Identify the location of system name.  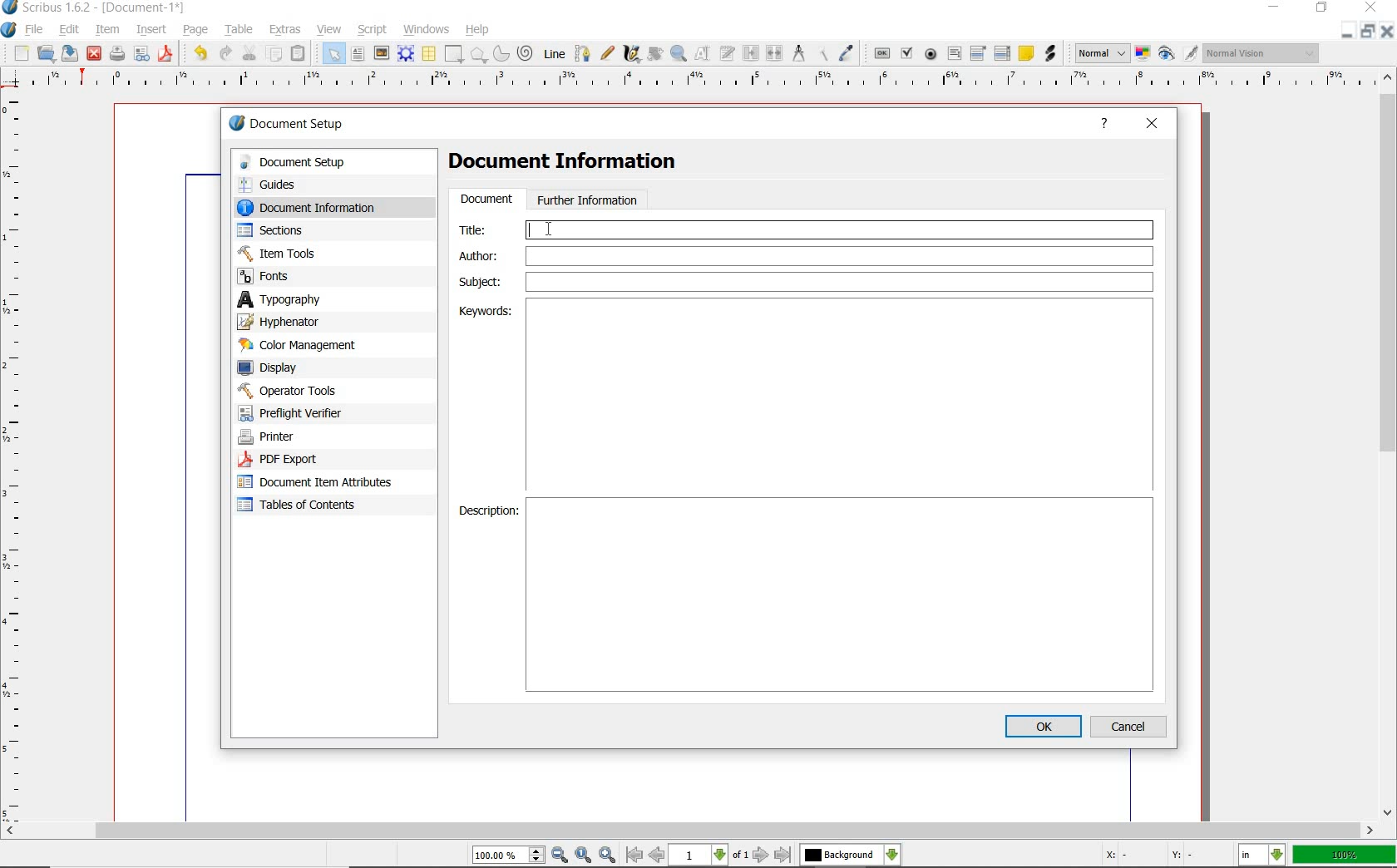
(94, 8).